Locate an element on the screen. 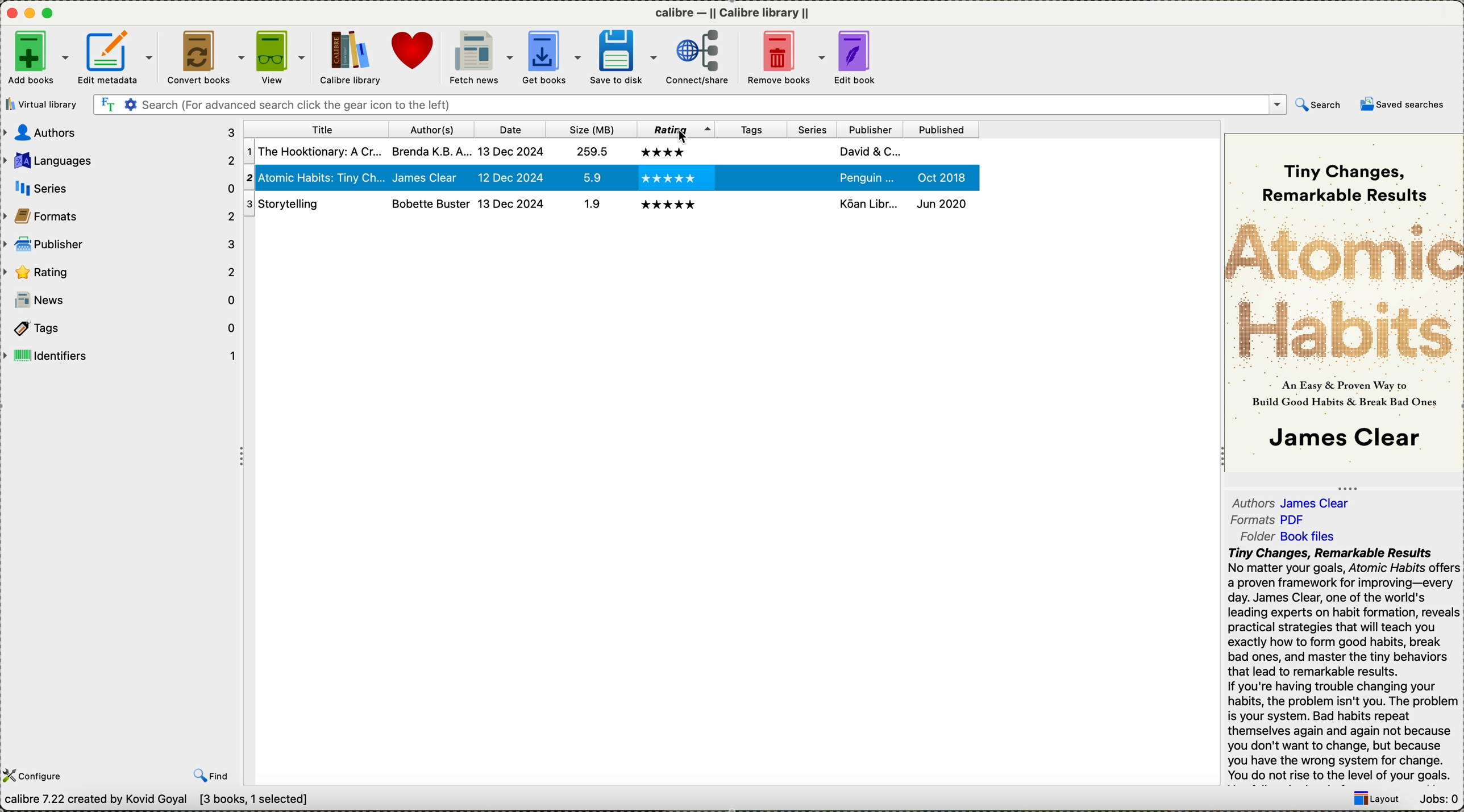 The width and height of the screenshot is (1464, 812). Jobs: 0 is located at coordinates (1437, 799).